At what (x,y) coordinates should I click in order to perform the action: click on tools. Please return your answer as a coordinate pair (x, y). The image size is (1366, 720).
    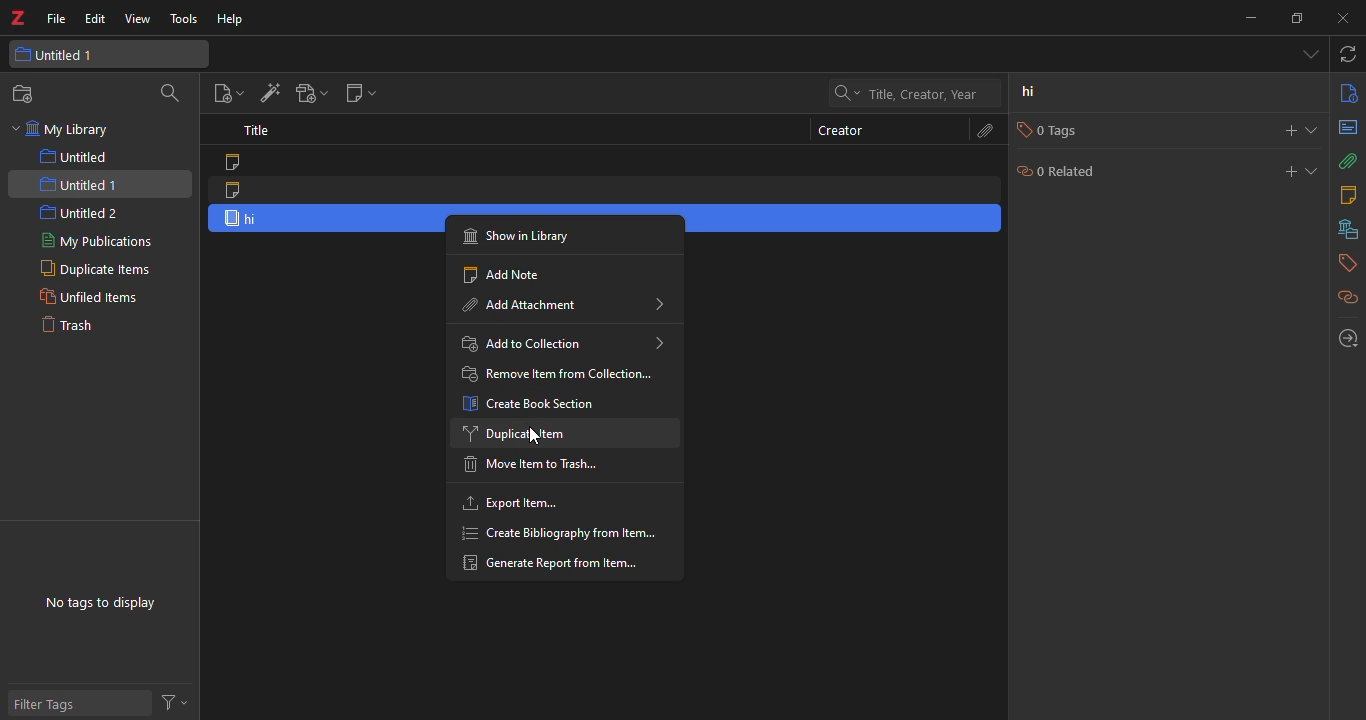
    Looking at the image, I should click on (183, 21).